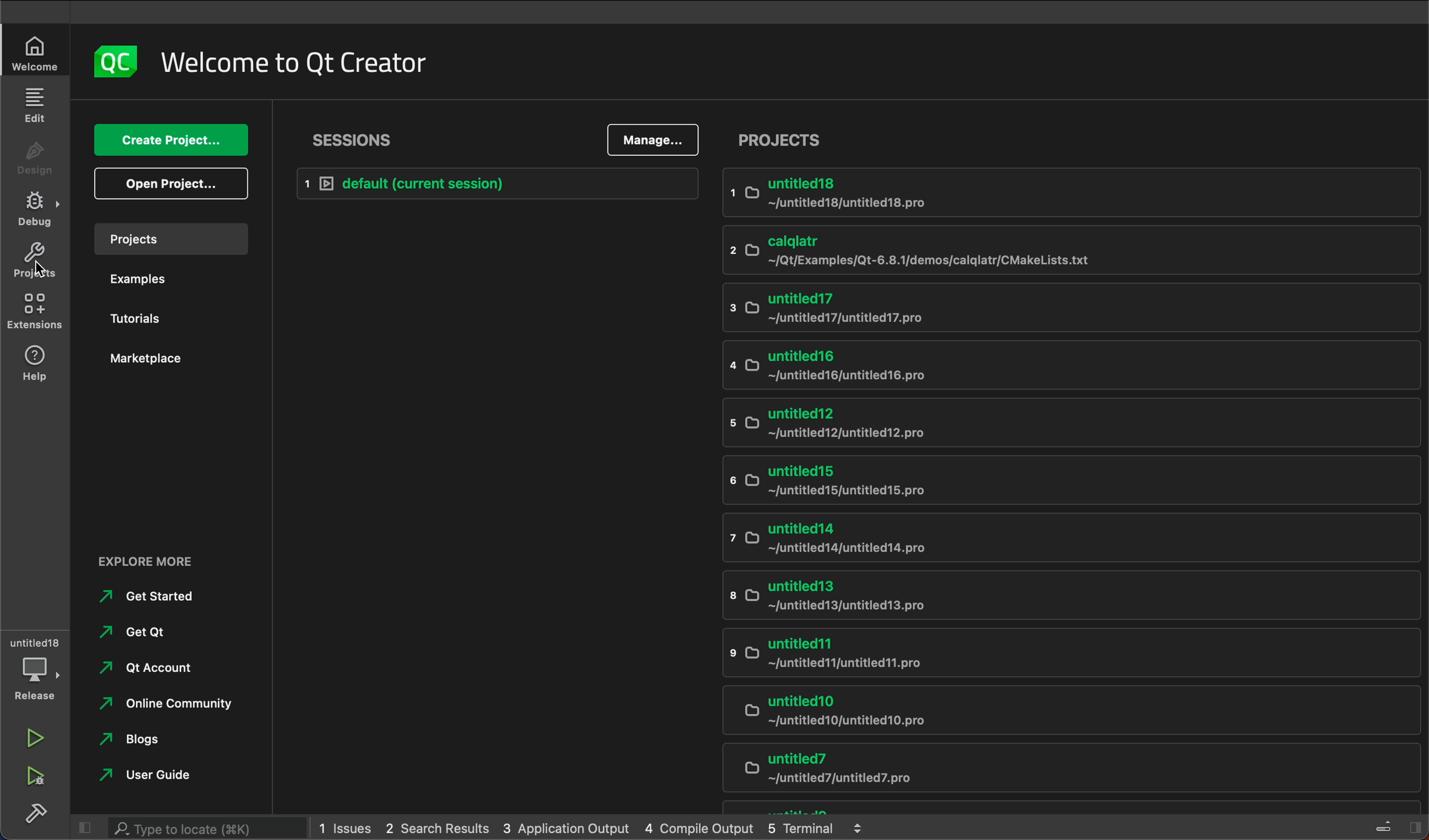 This screenshot has width=1429, height=840. Describe the element at coordinates (1062, 648) in the screenshot. I see `untitled11` at that location.